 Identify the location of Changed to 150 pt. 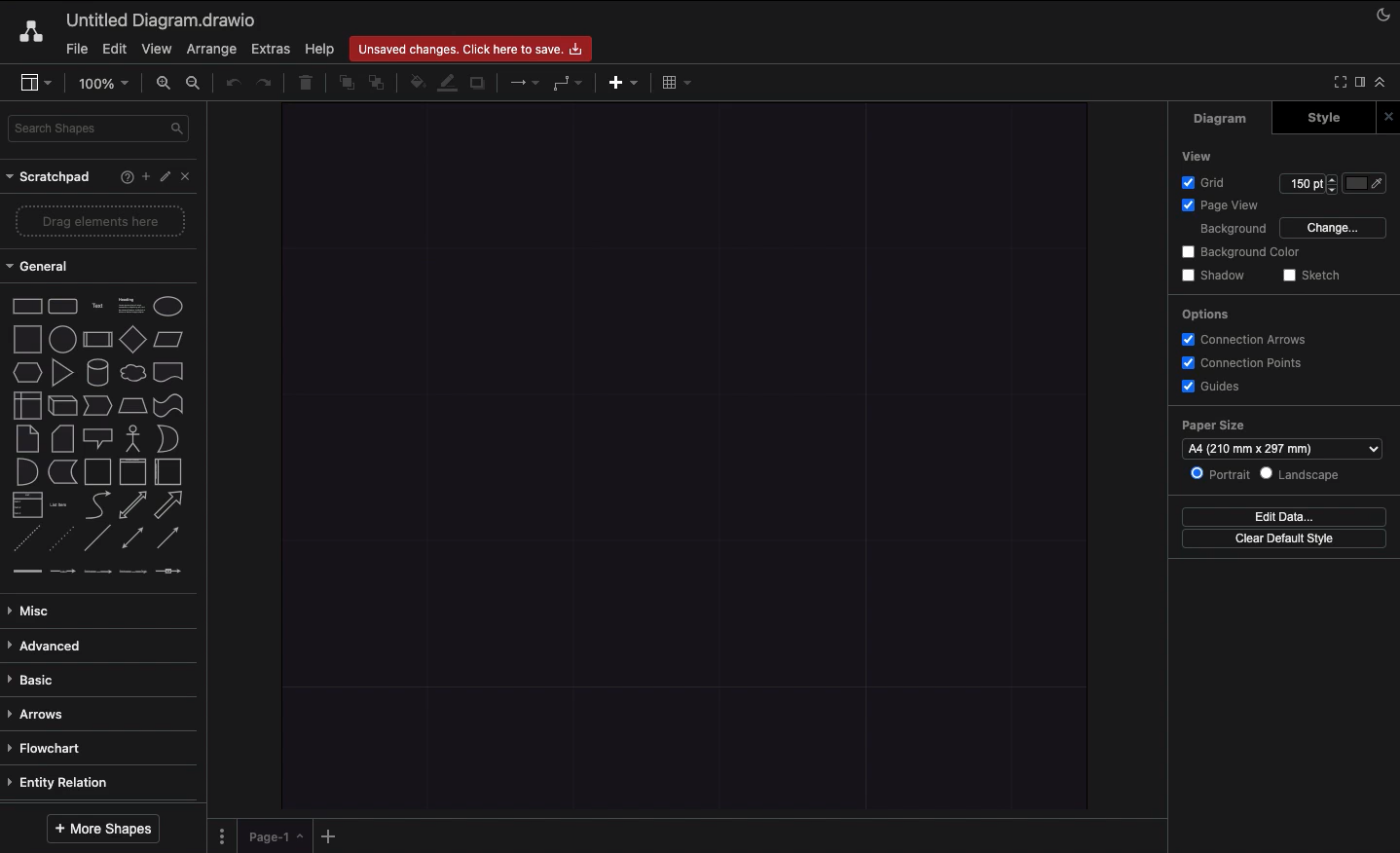
(1307, 183).